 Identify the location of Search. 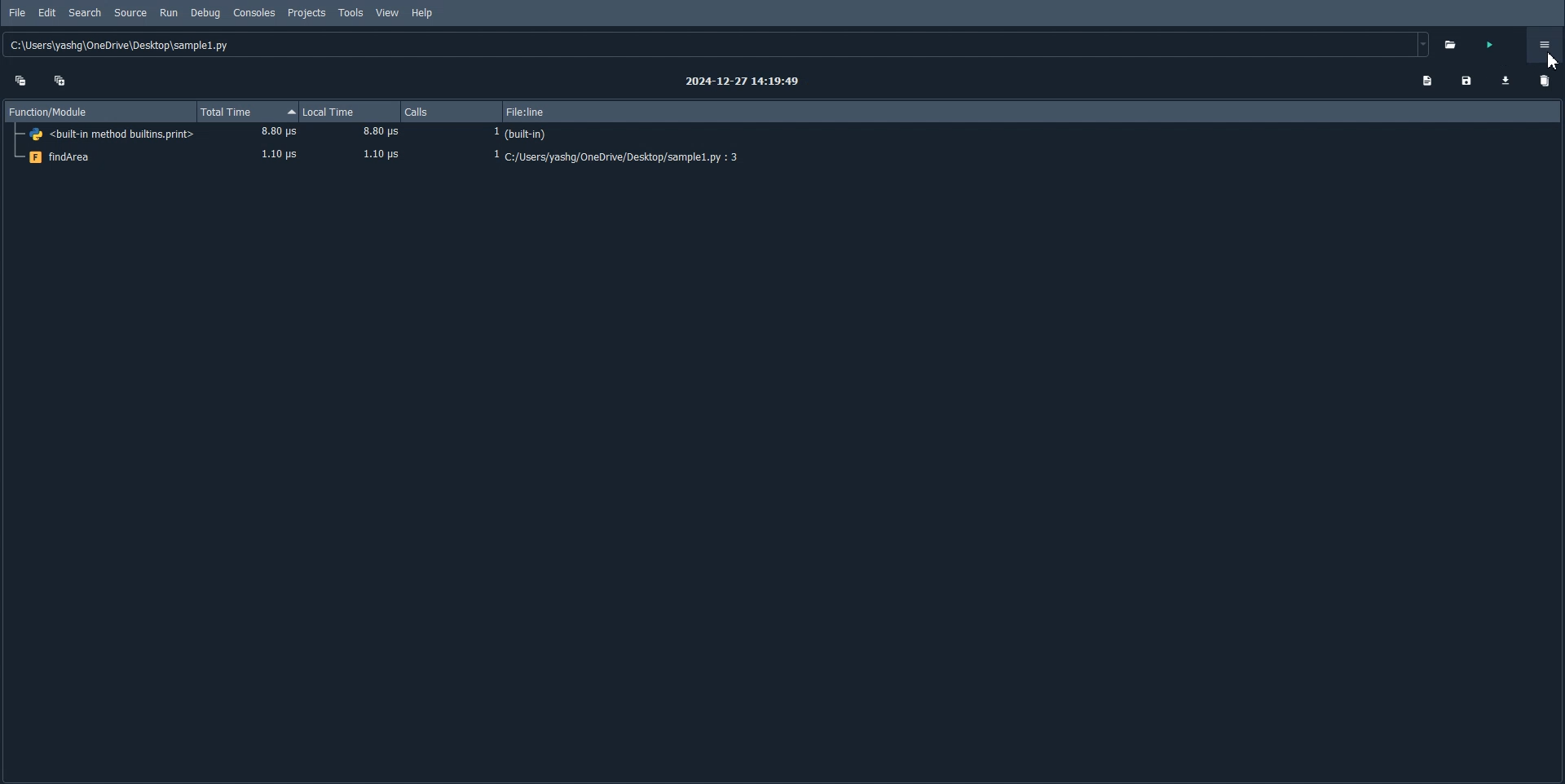
(85, 12).